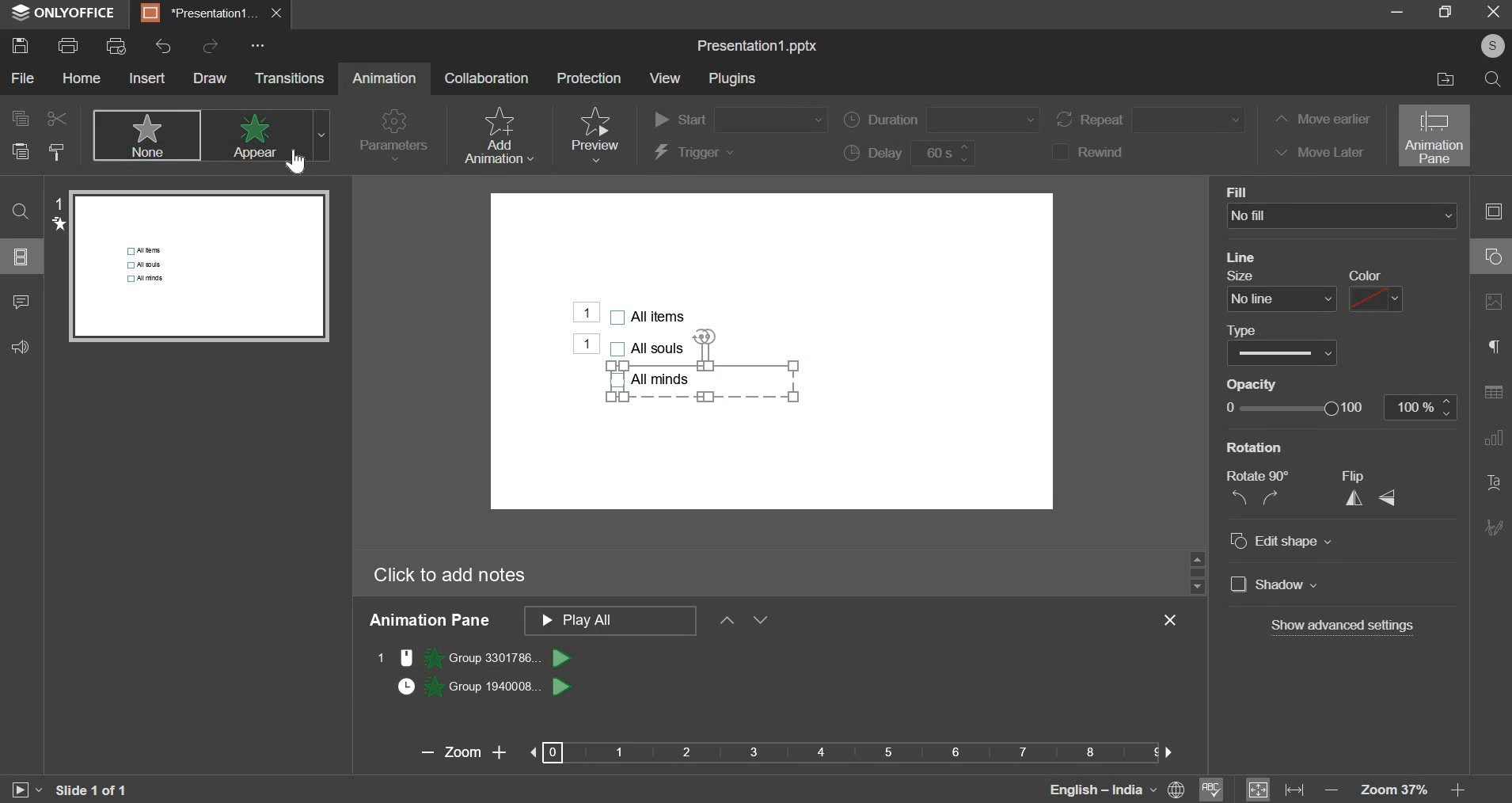 This screenshot has width=1512, height=803. Describe the element at coordinates (1095, 151) in the screenshot. I see `rewind` at that location.